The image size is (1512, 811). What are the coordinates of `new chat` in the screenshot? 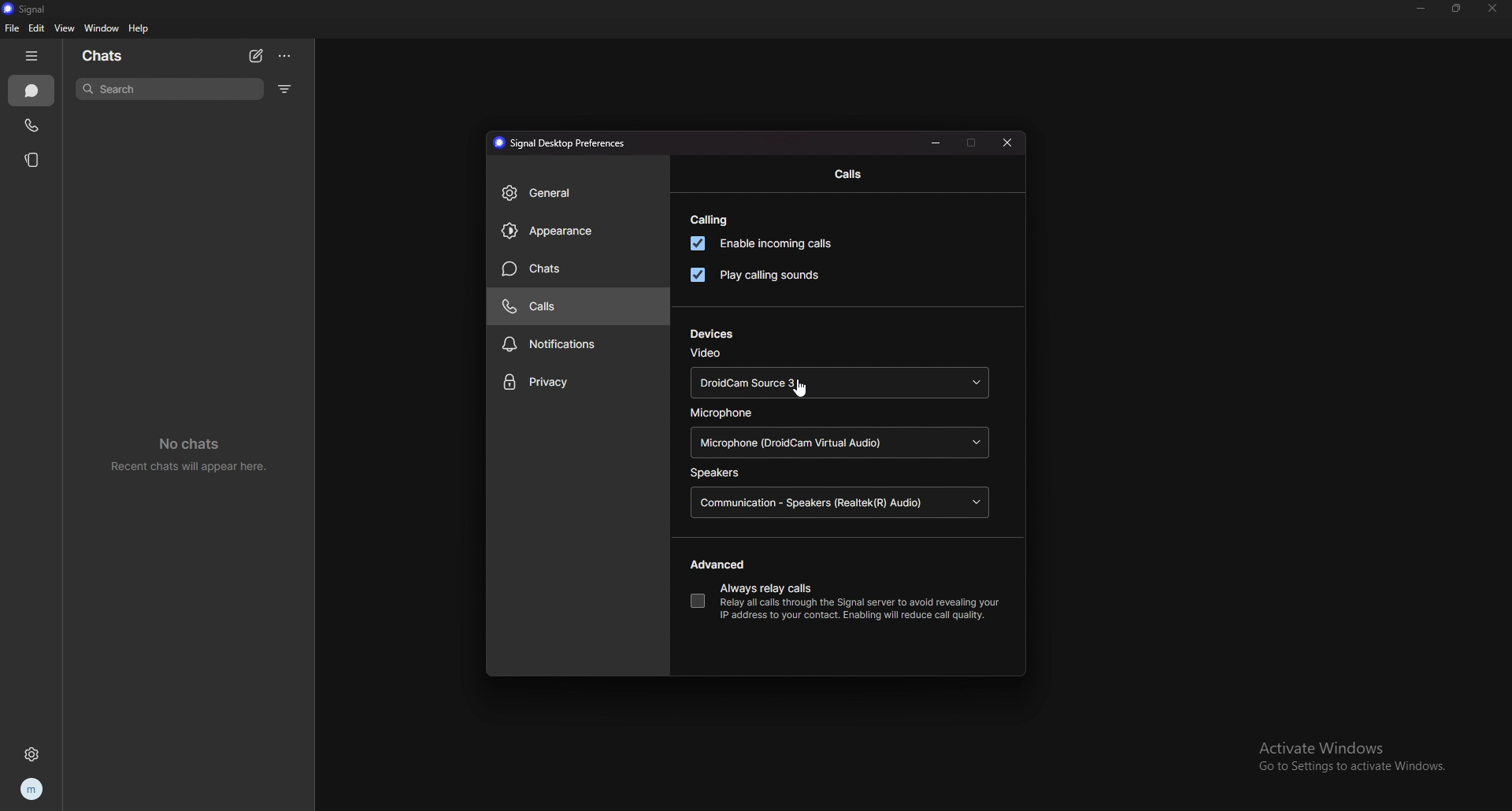 It's located at (257, 56).